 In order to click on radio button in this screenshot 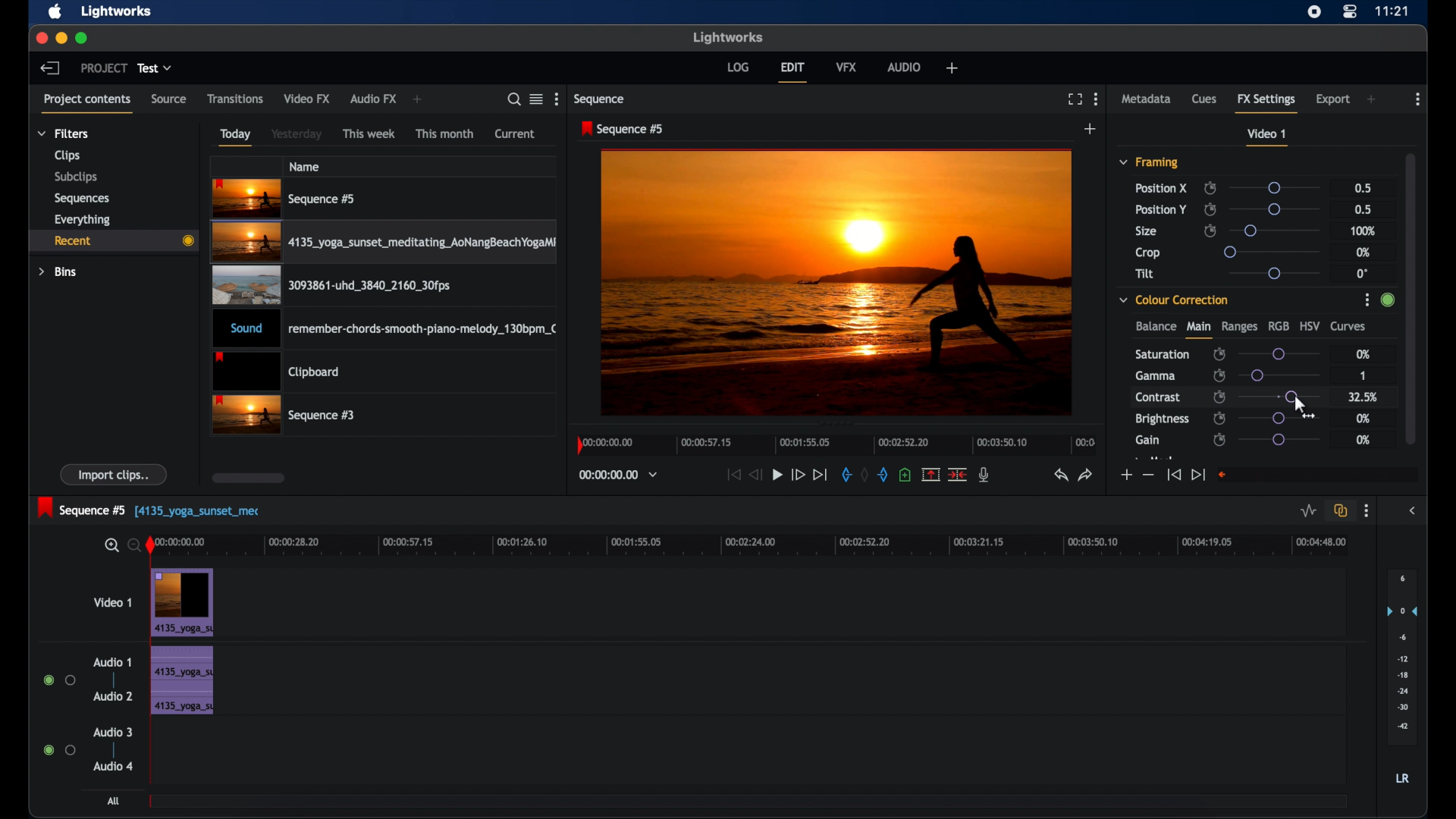, I will do `click(59, 749)`.